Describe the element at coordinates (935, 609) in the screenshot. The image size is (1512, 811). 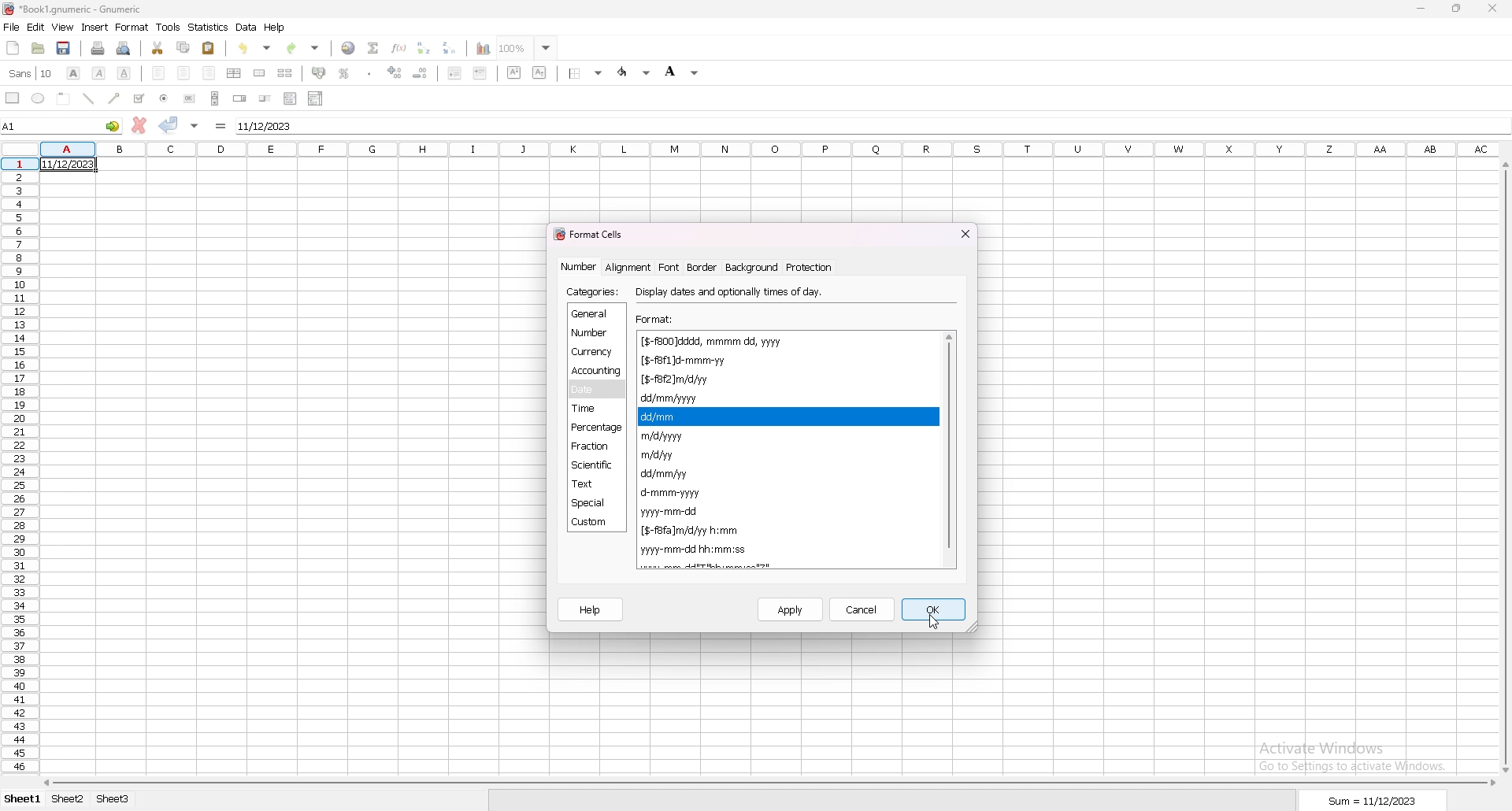
I see `ok` at that location.